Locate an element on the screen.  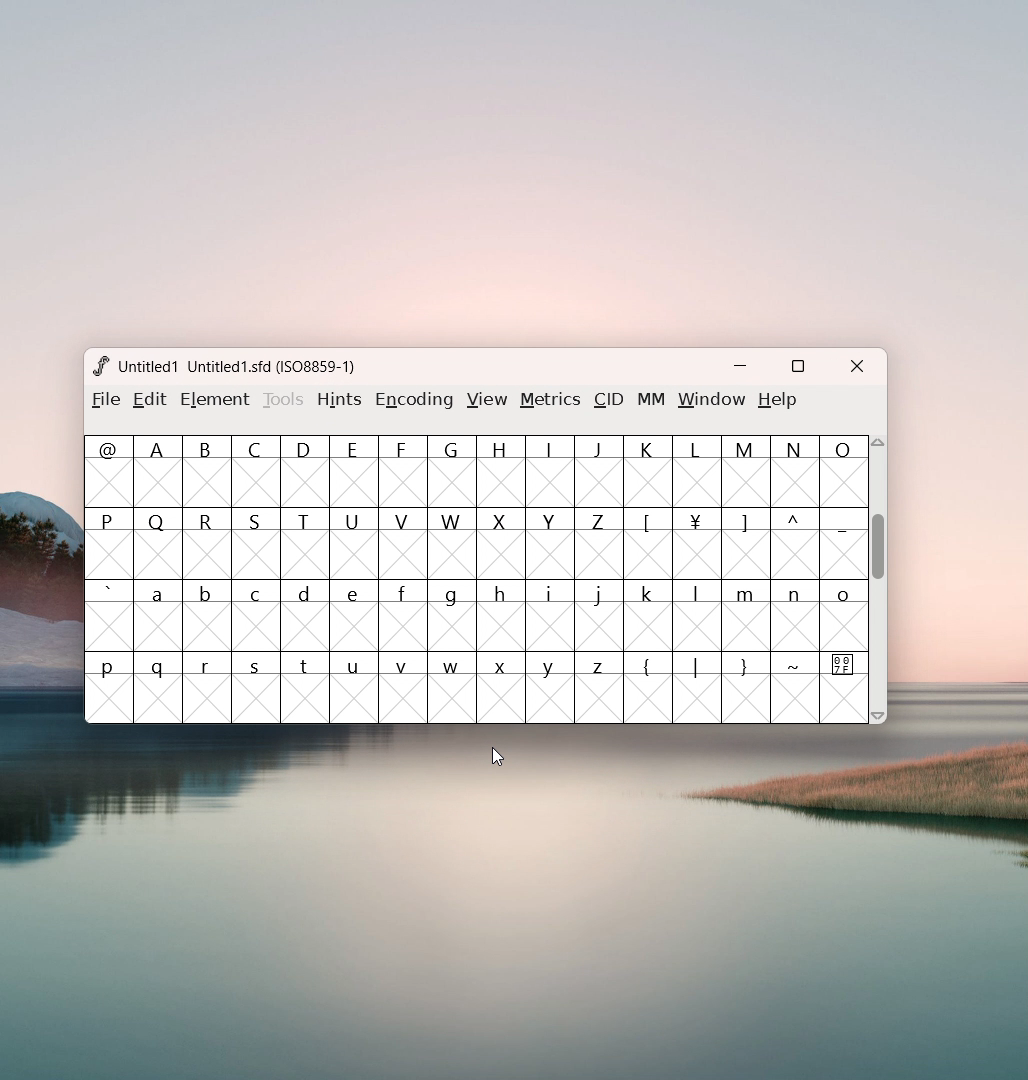
[ is located at coordinates (649, 543).